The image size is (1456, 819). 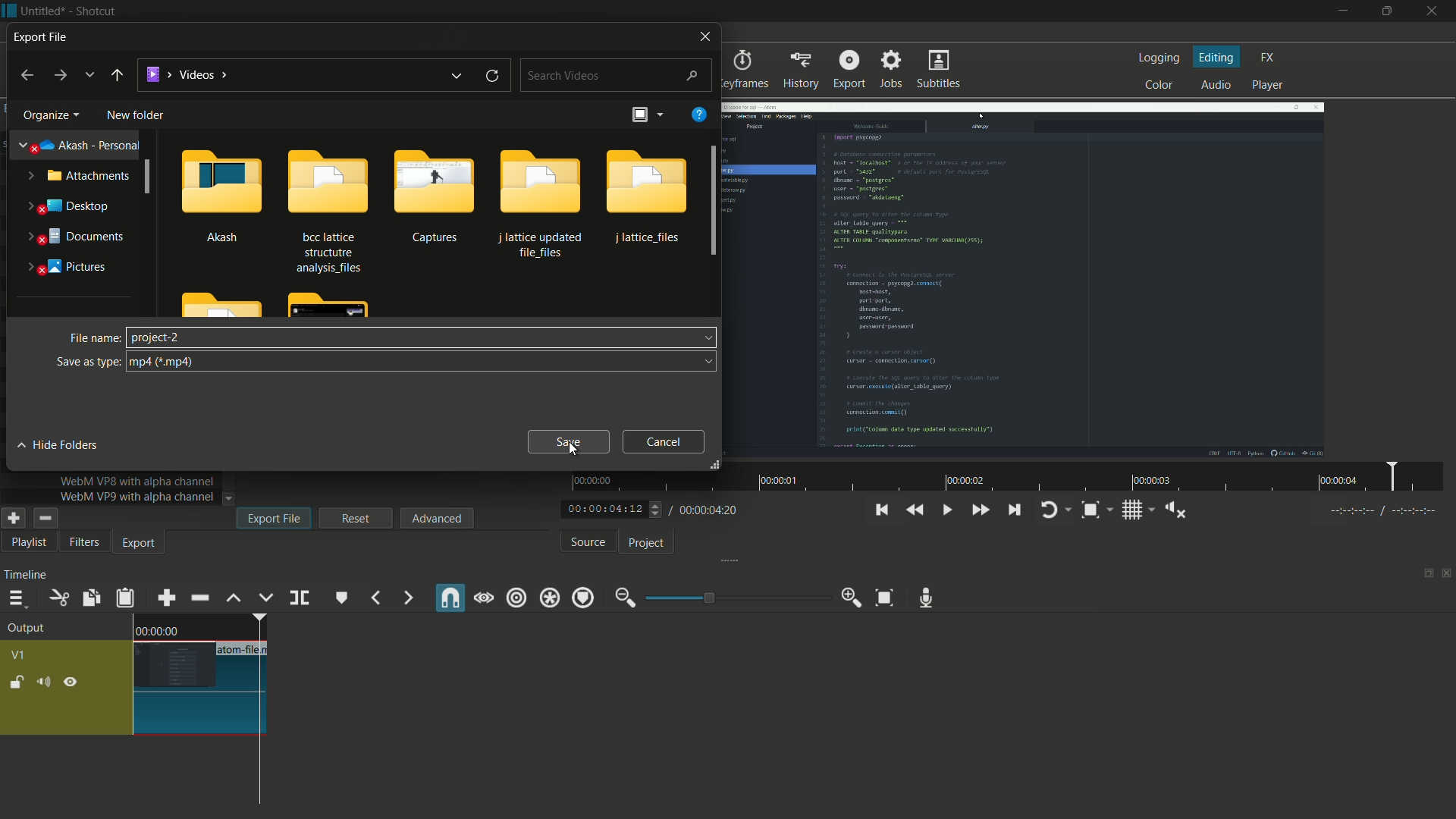 I want to click on hide folders, so click(x=62, y=445).